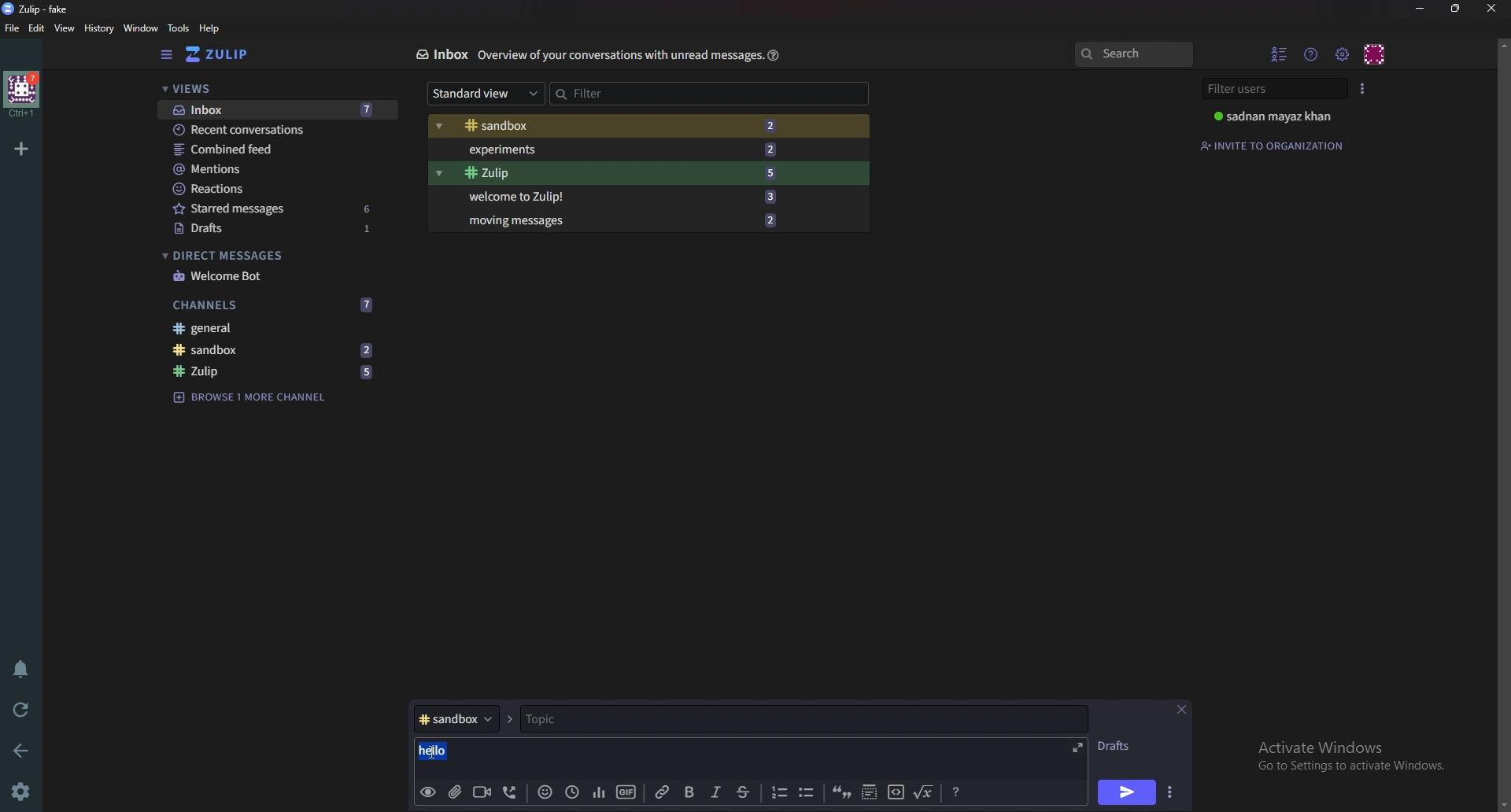  I want to click on #sandbox, so click(464, 718).